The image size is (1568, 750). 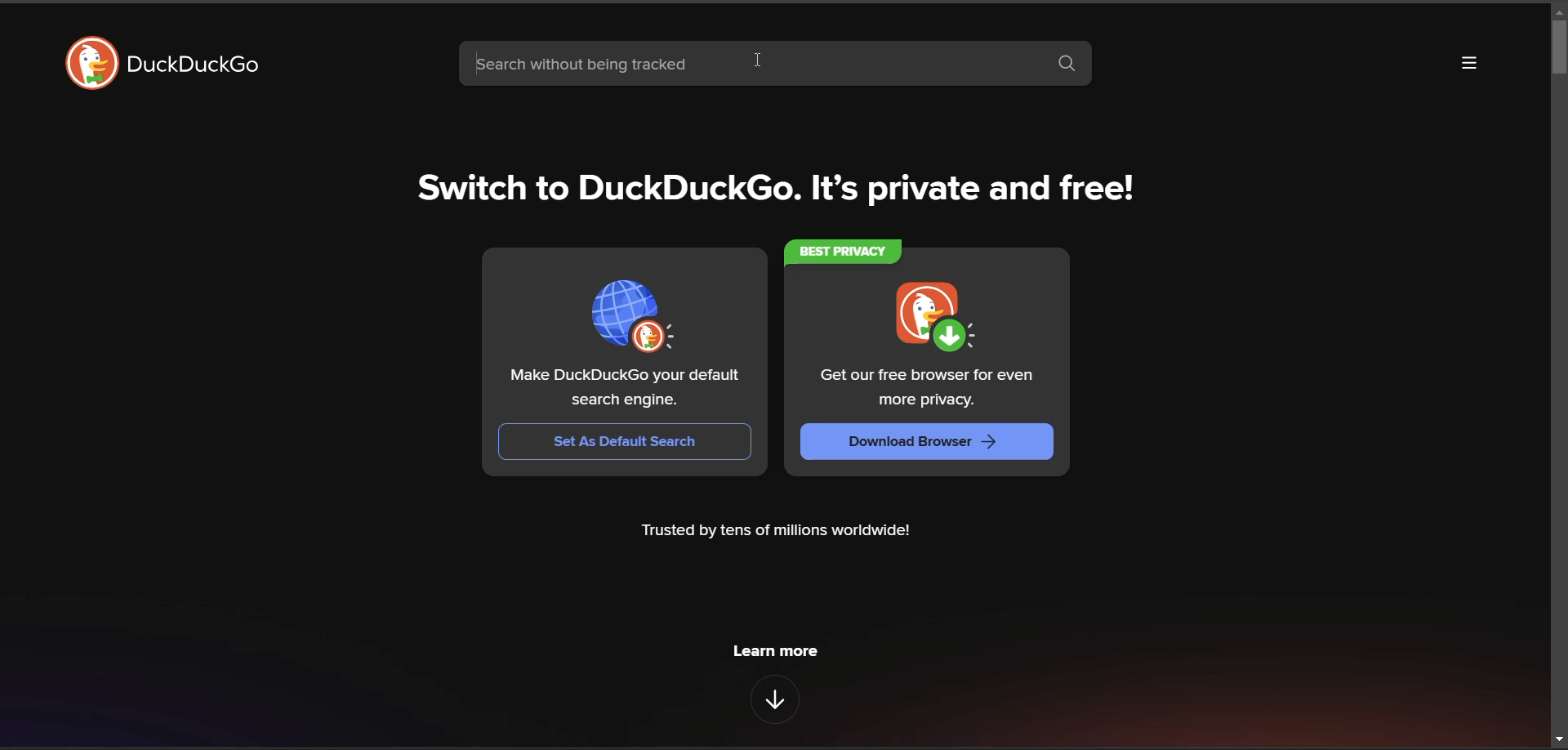 I want to click on Set As Default Search, so click(x=626, y=440).